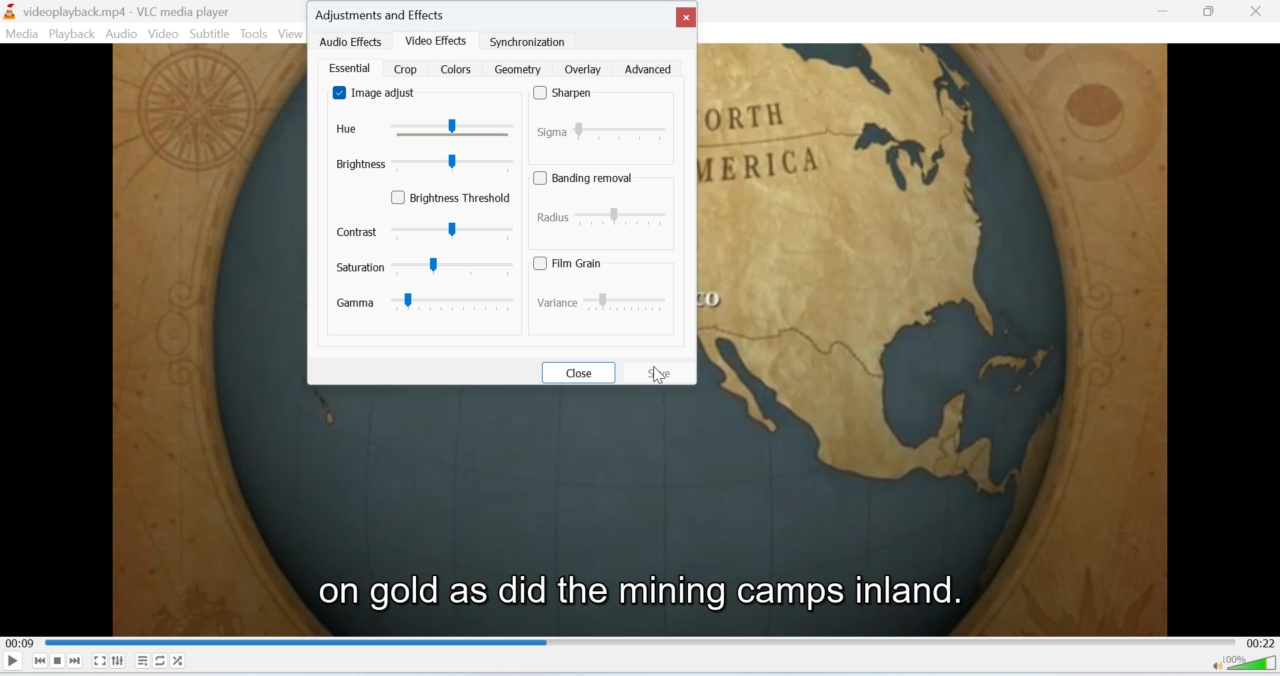 The width and height of the screenshot is (1280, 676). I want to click on essential, so click(349, 68).